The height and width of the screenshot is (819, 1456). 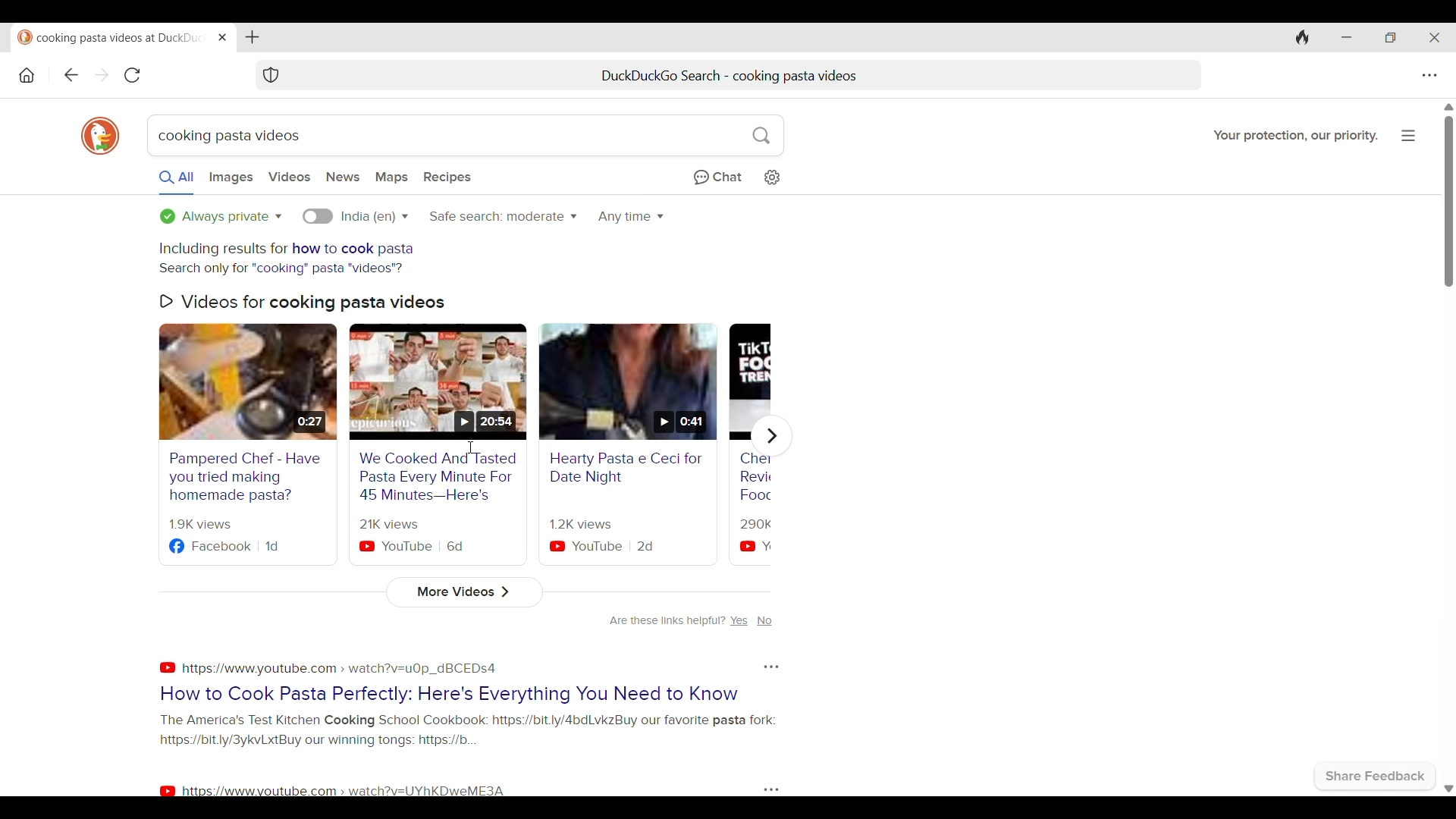 What do you see at coordinates (287, 249) in the screenshot?
I see `Including results for how to cook pasta` at bounding box center [287, 249].